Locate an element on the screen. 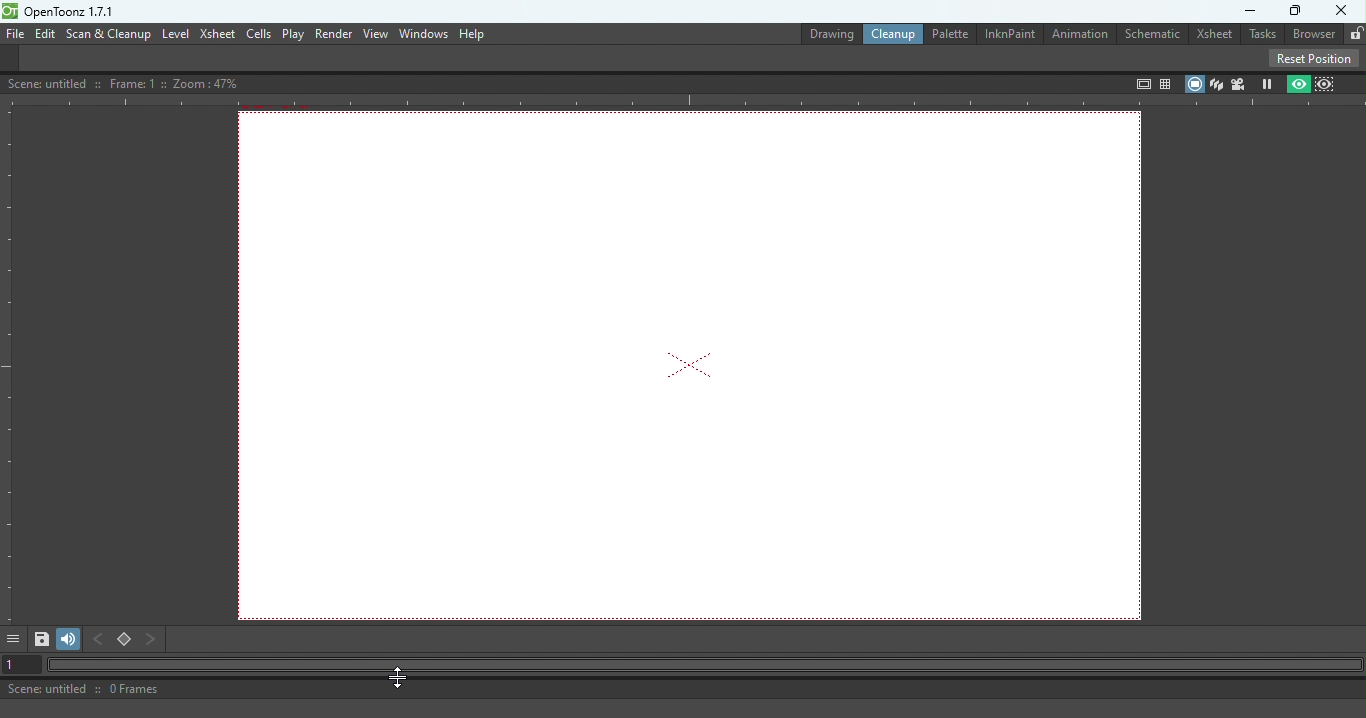 The width and height of the screenshot is (1366, 718). Window is located at coordinates (421, 34).